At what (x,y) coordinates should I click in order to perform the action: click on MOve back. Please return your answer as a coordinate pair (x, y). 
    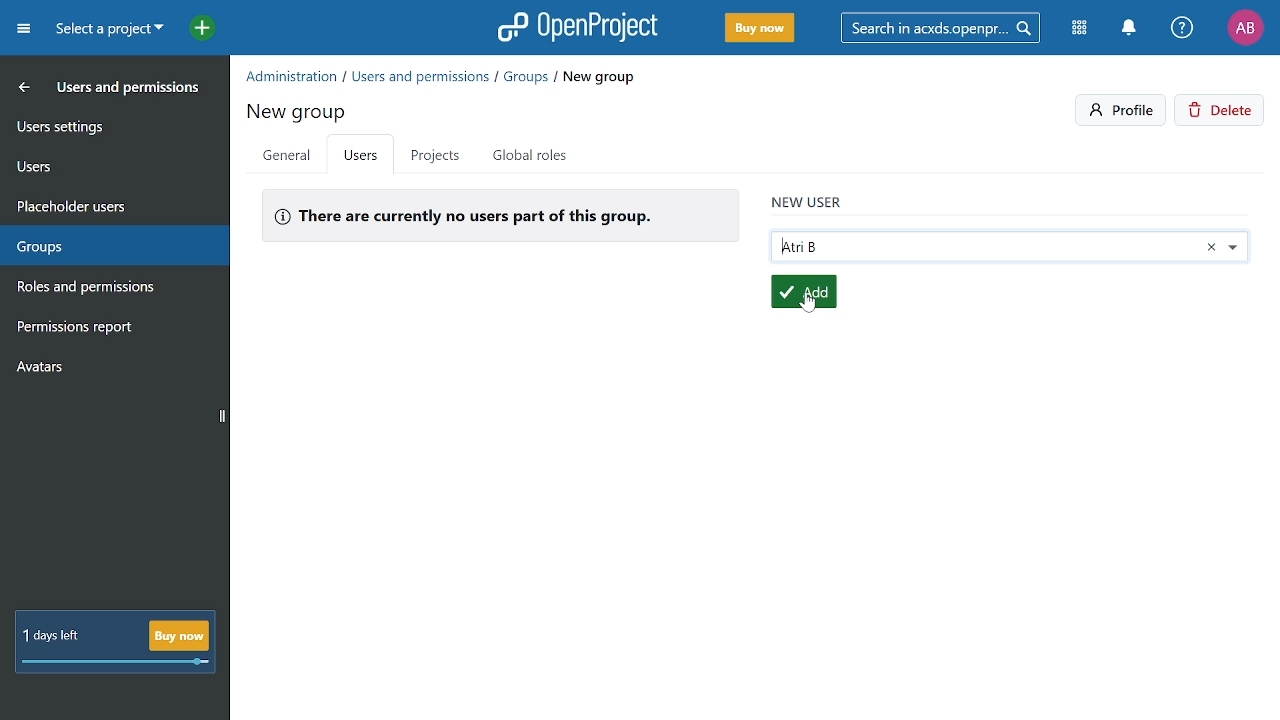
    Looking at the image, I should click on (20, 86).